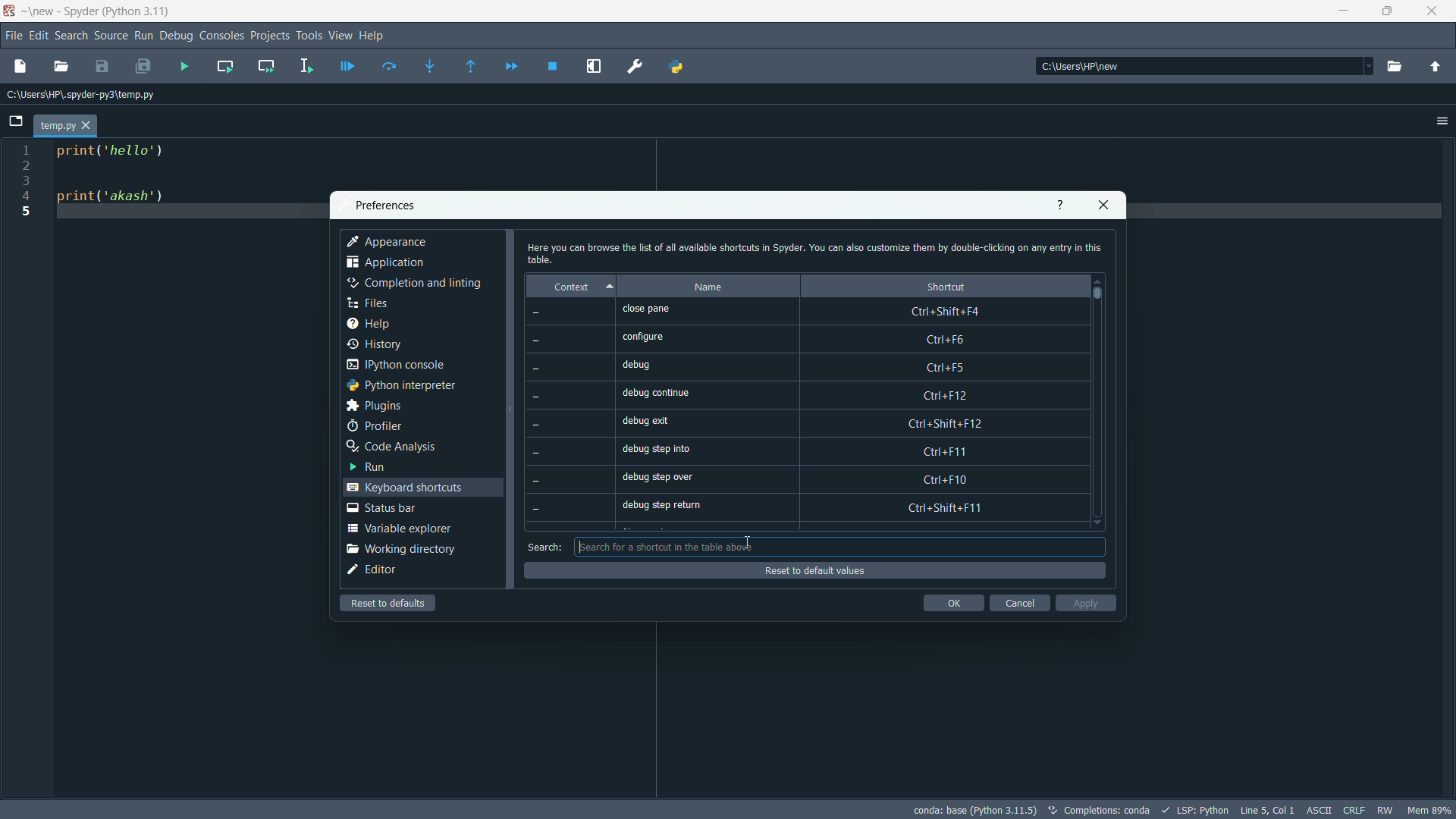 This screenshot has height=819, width=1456. What do you see at coordinates (184, 65) in the screenshot?
I see `run file` at bounding box center [184, 65].